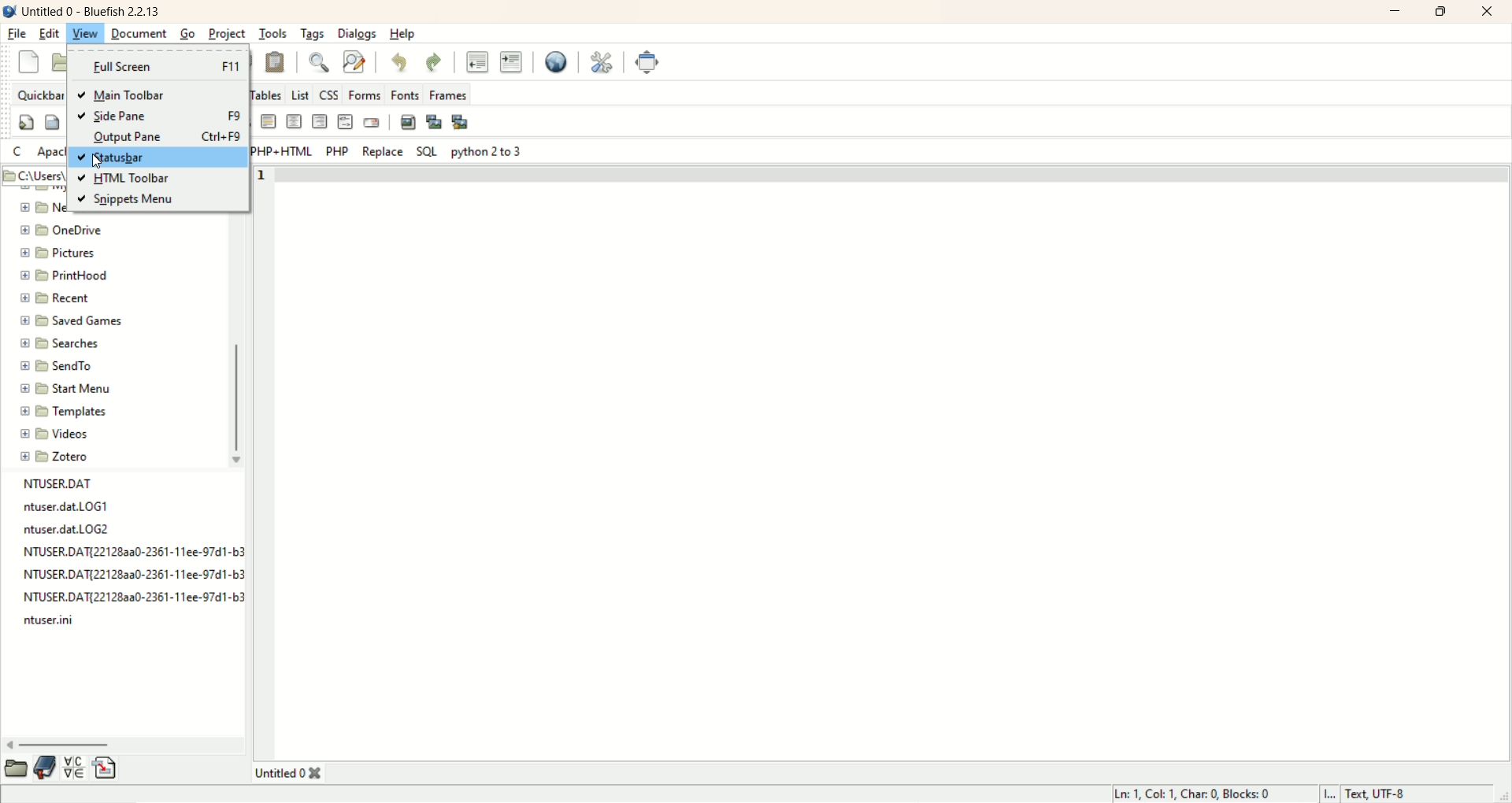  Describe the element at coordinates (94, 12) in the screenshot. I see `title` at that location.